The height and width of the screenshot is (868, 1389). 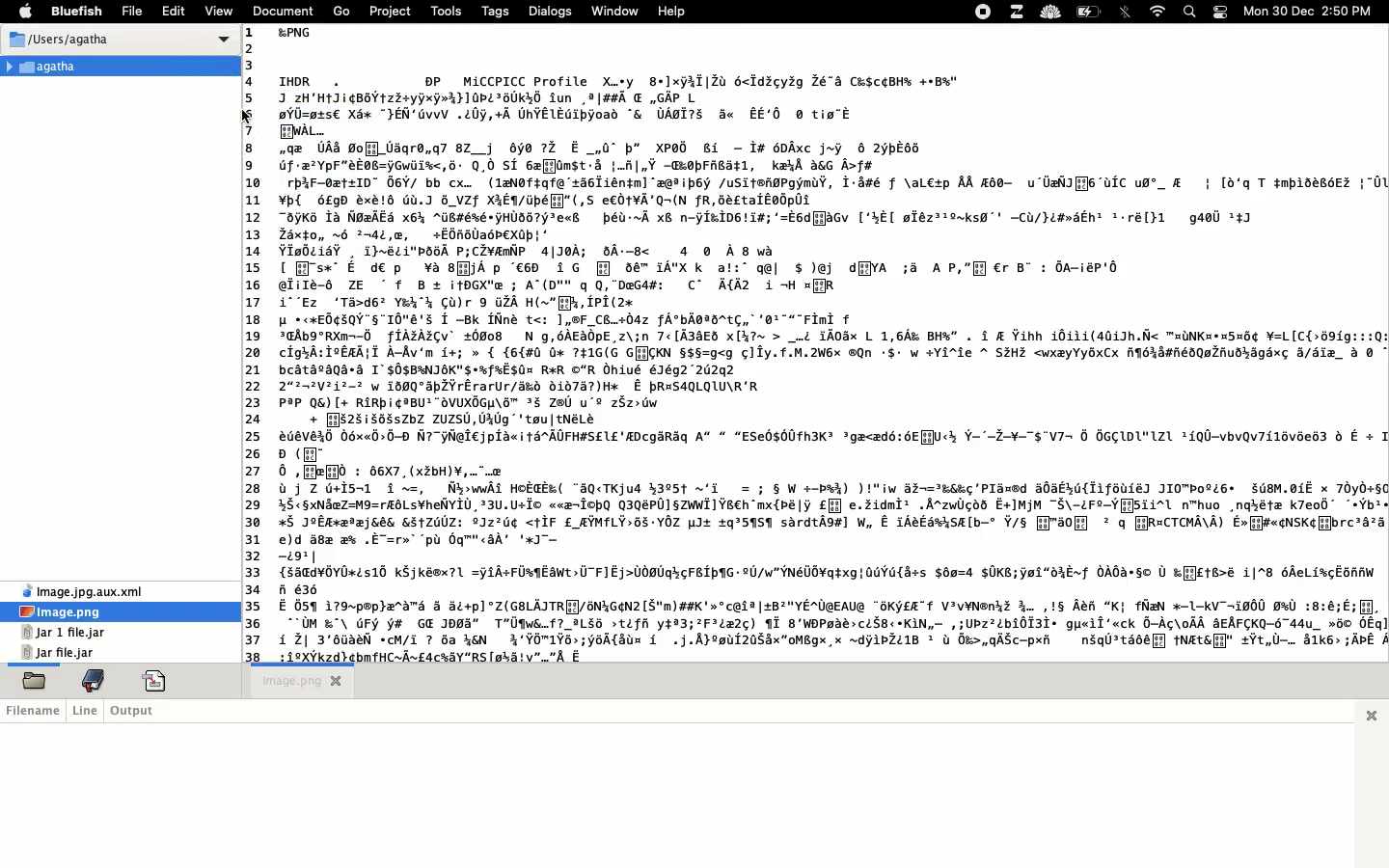 I want to click on image png, so click(x=282, y=684).